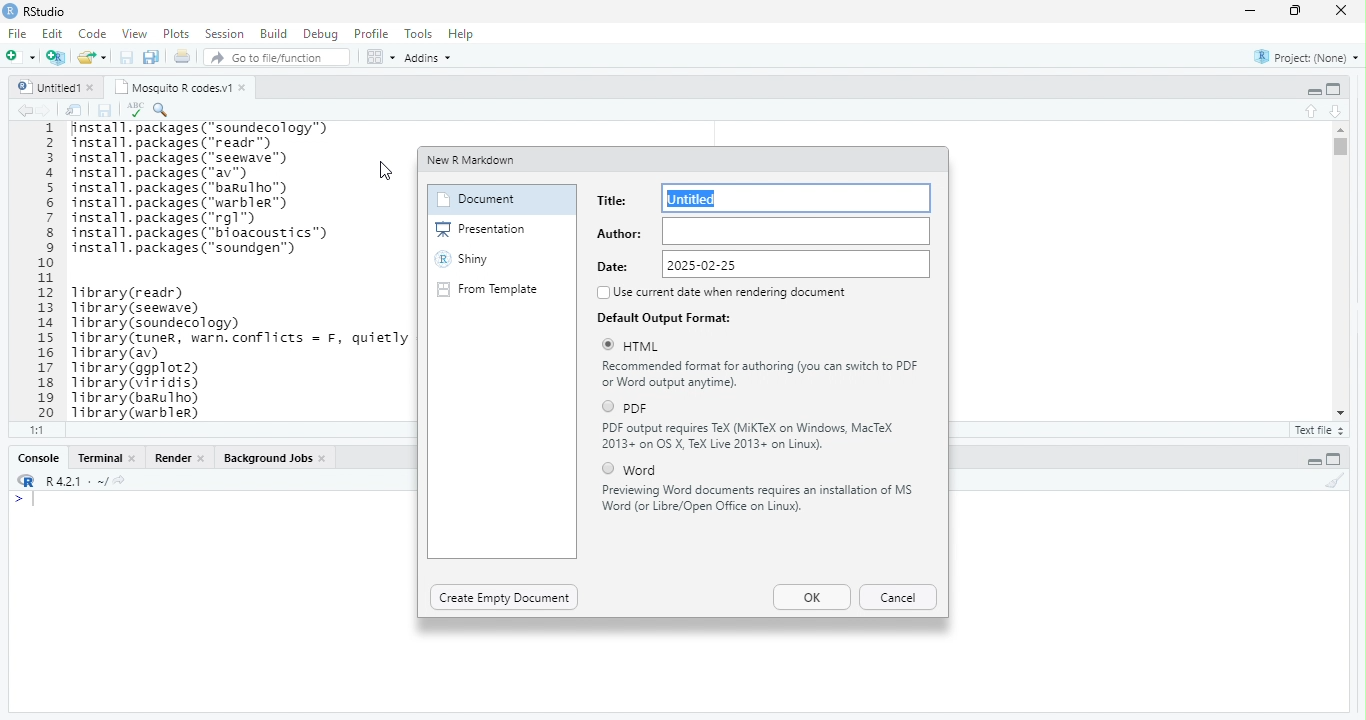 The width and height of the screenshot is (1366, 720). Describe the element at coordinates (94, 33) in the screenshot. I see `Code` at that location.